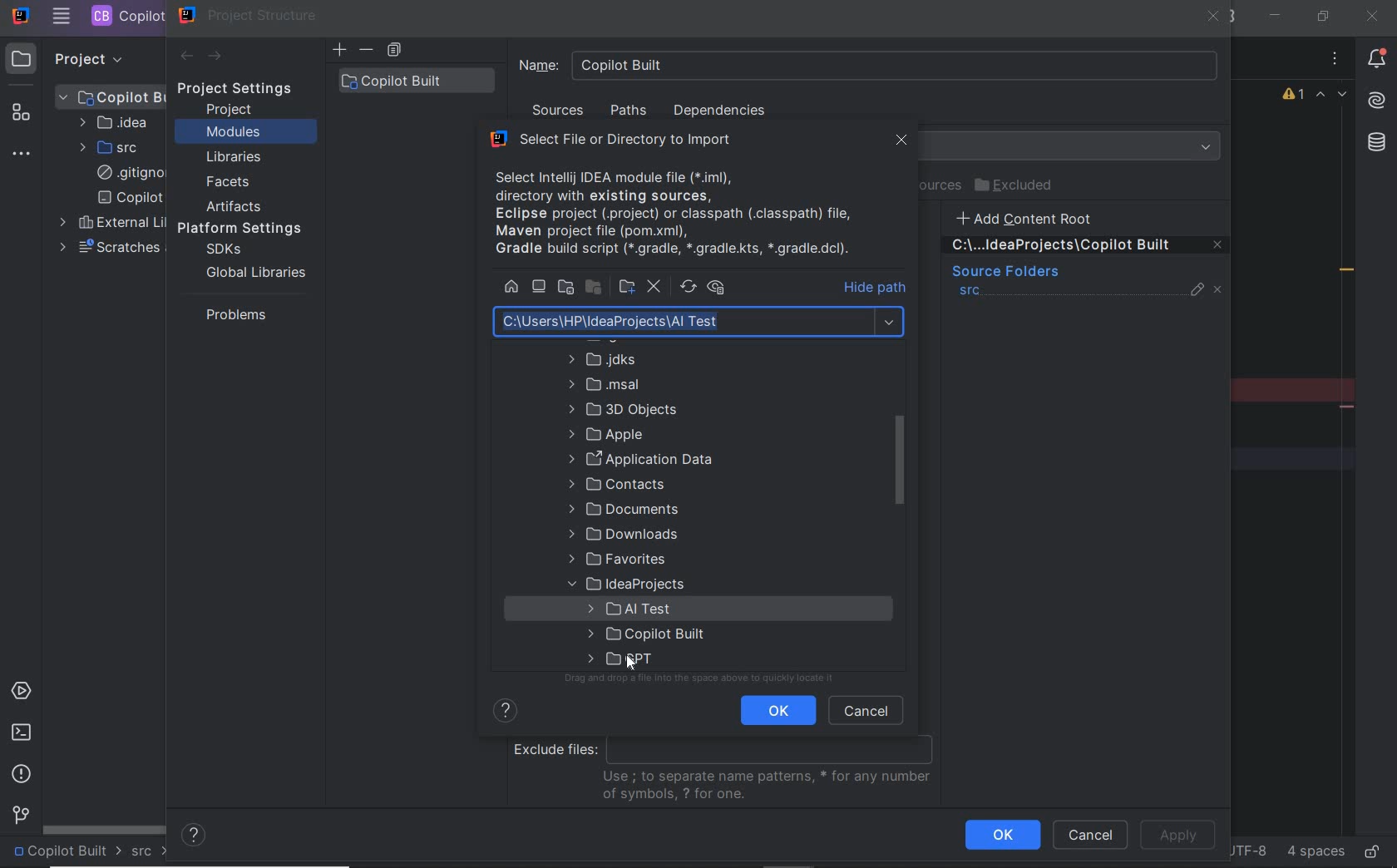 Image resolution: width=1397 pixels, height=868 pixels. Describe the element at coordinates (628, 607) in the screenshot. I see `folder` at that location.